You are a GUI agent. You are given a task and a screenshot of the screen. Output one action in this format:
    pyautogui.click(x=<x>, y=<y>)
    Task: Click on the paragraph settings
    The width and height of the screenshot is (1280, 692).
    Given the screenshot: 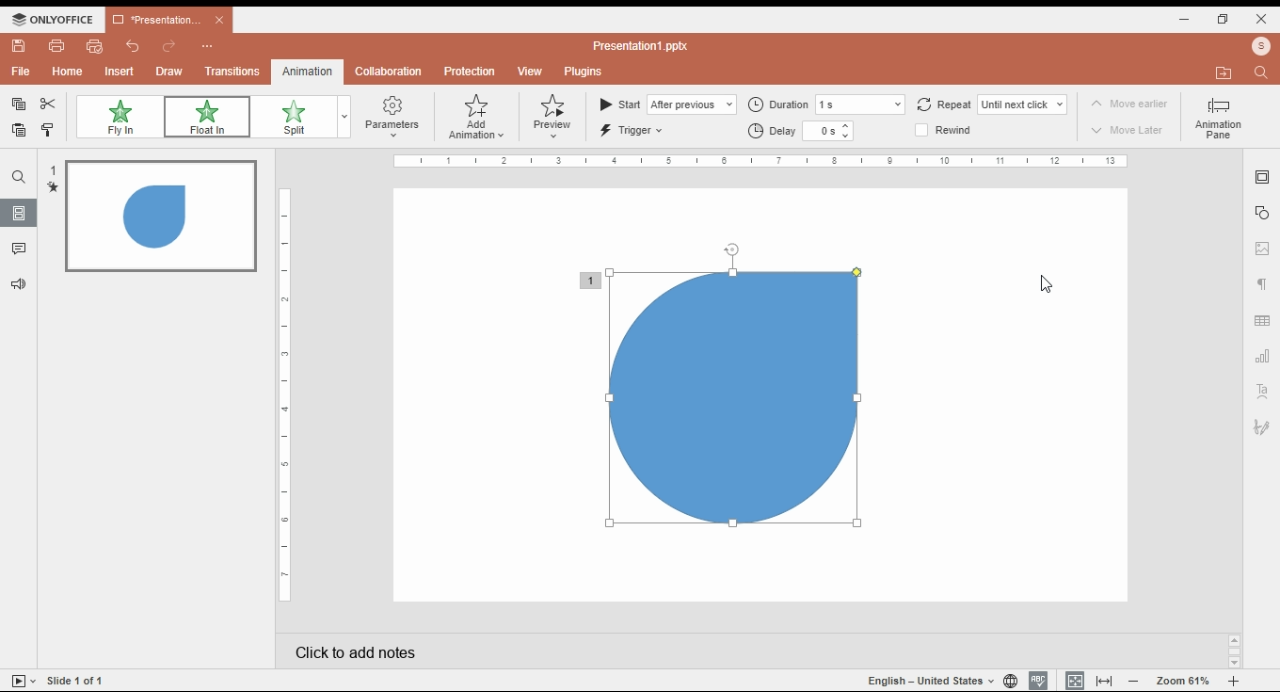 What is the action you would take?
    pyautogui.click(x=1263, y=283)
    